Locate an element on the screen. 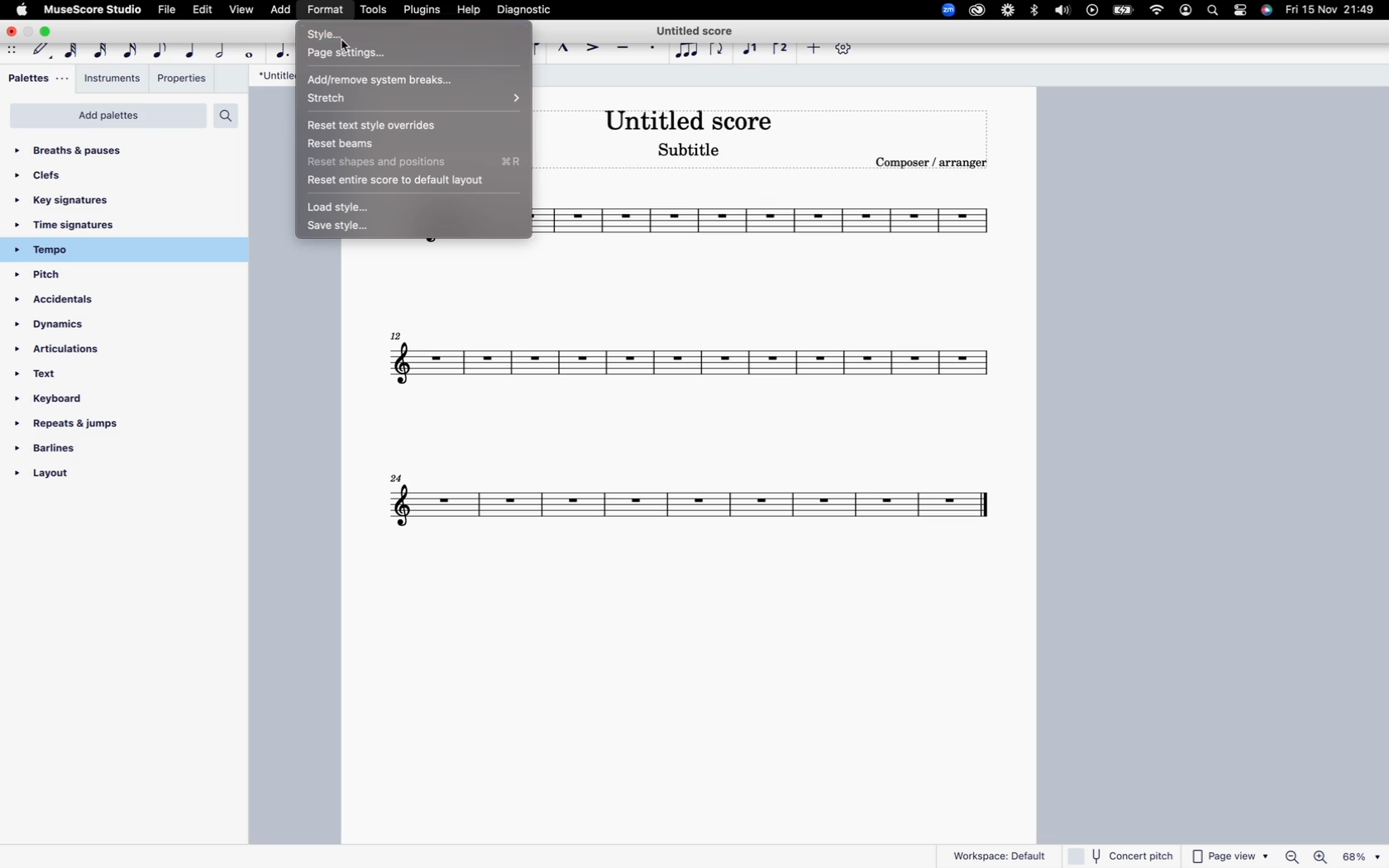  augmentation dot is located at coordinates (285, 49).